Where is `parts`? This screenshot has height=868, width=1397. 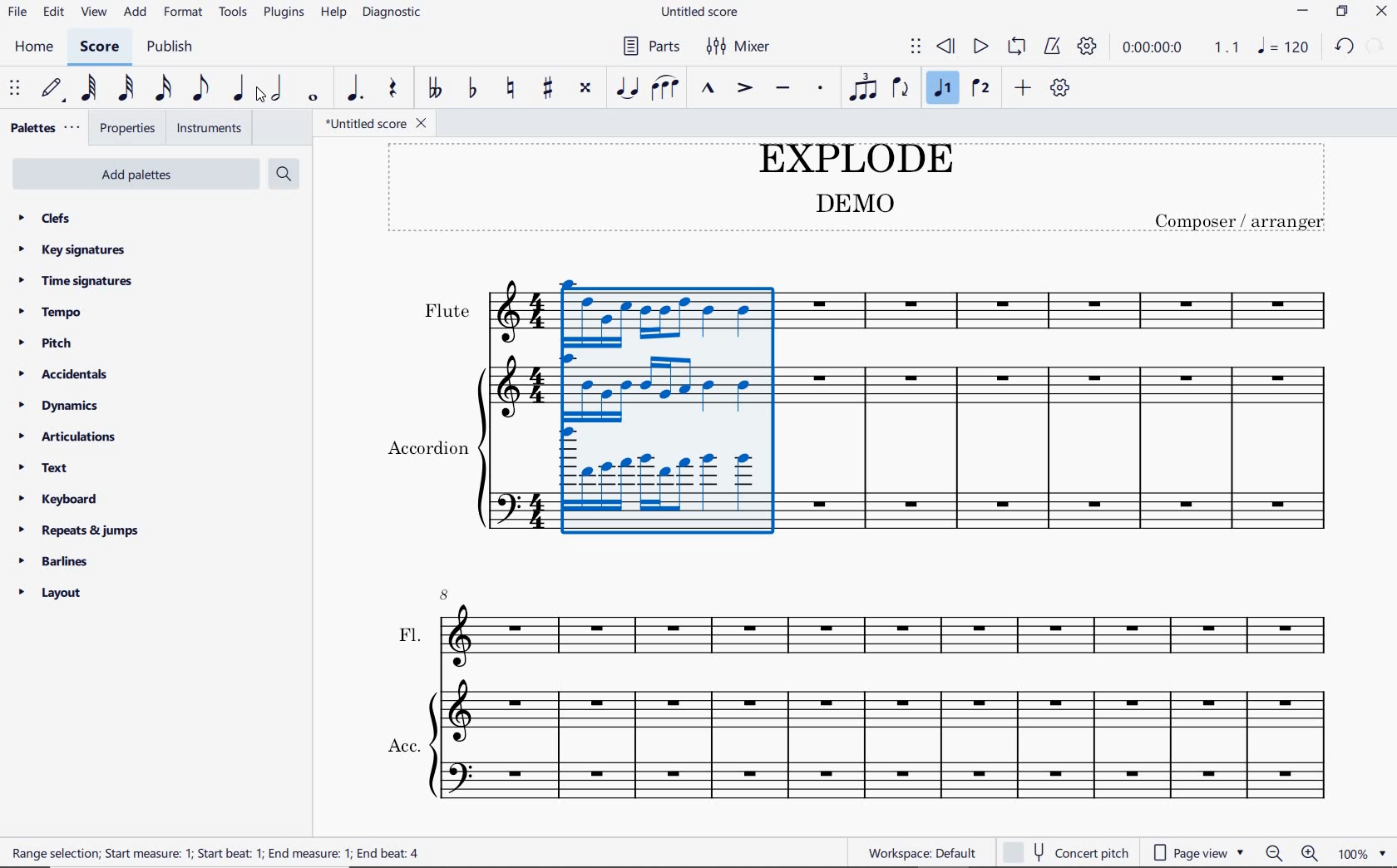
parts is located at coordinates (649, 45).